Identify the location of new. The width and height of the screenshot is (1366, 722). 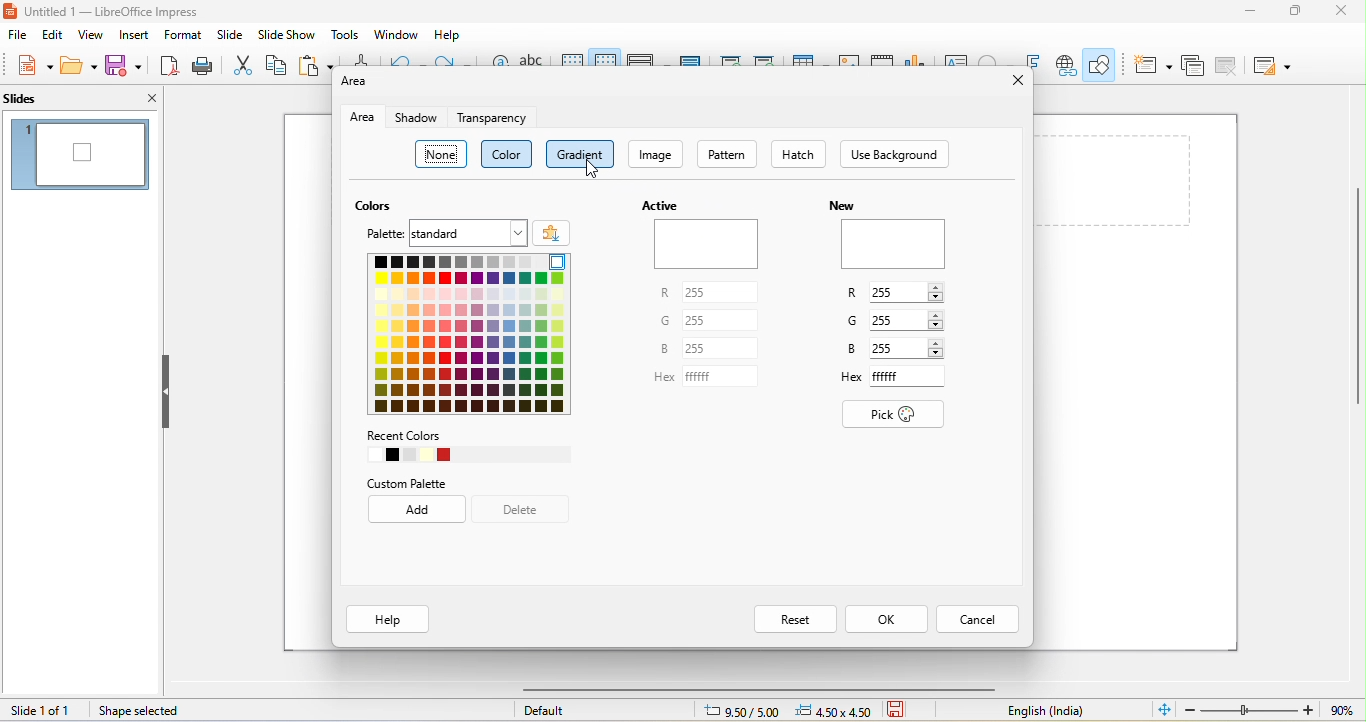
(36, 67).